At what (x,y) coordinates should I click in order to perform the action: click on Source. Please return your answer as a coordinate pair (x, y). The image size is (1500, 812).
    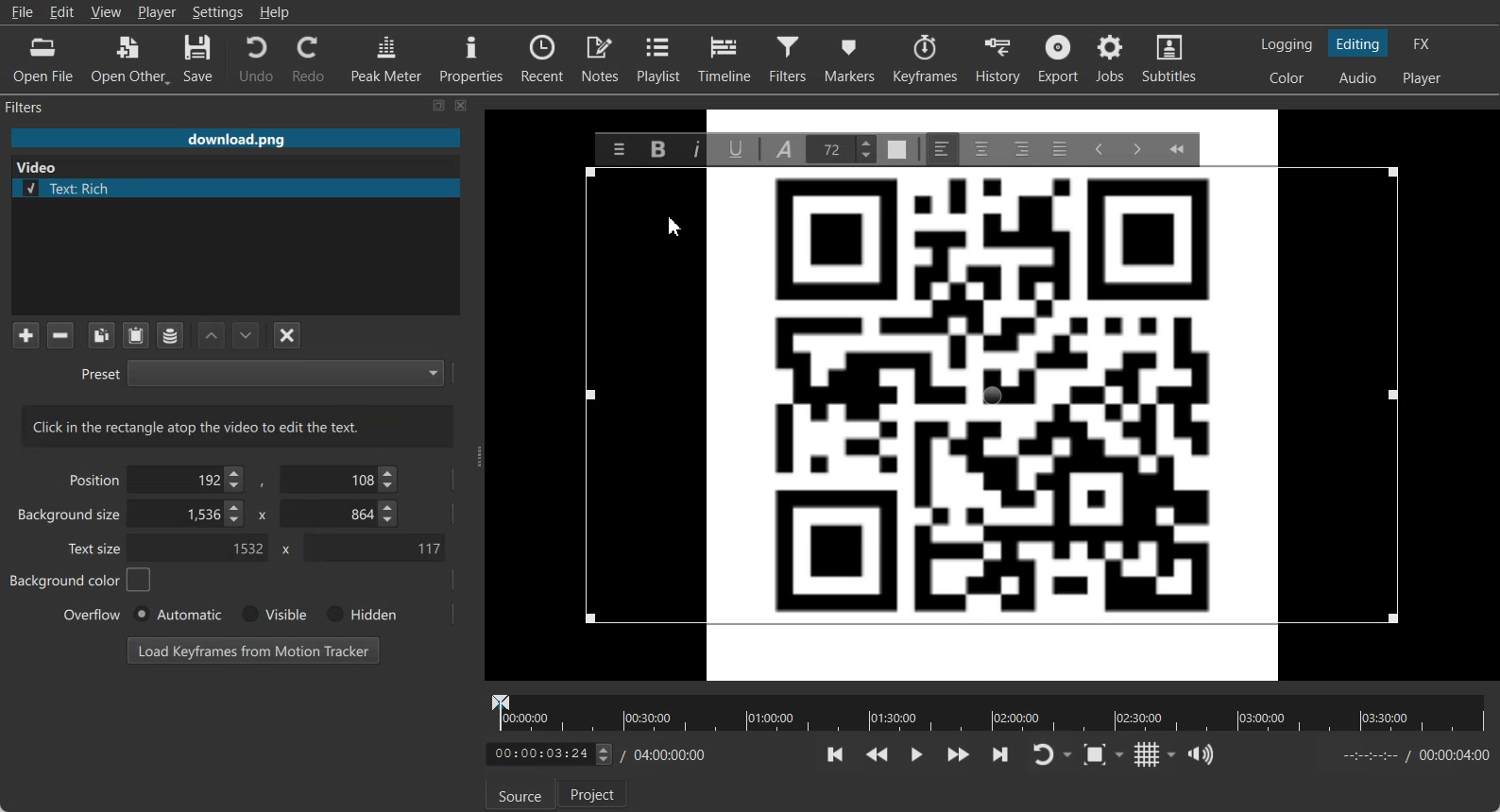
    Looking at the image, I should click on (517, 795).